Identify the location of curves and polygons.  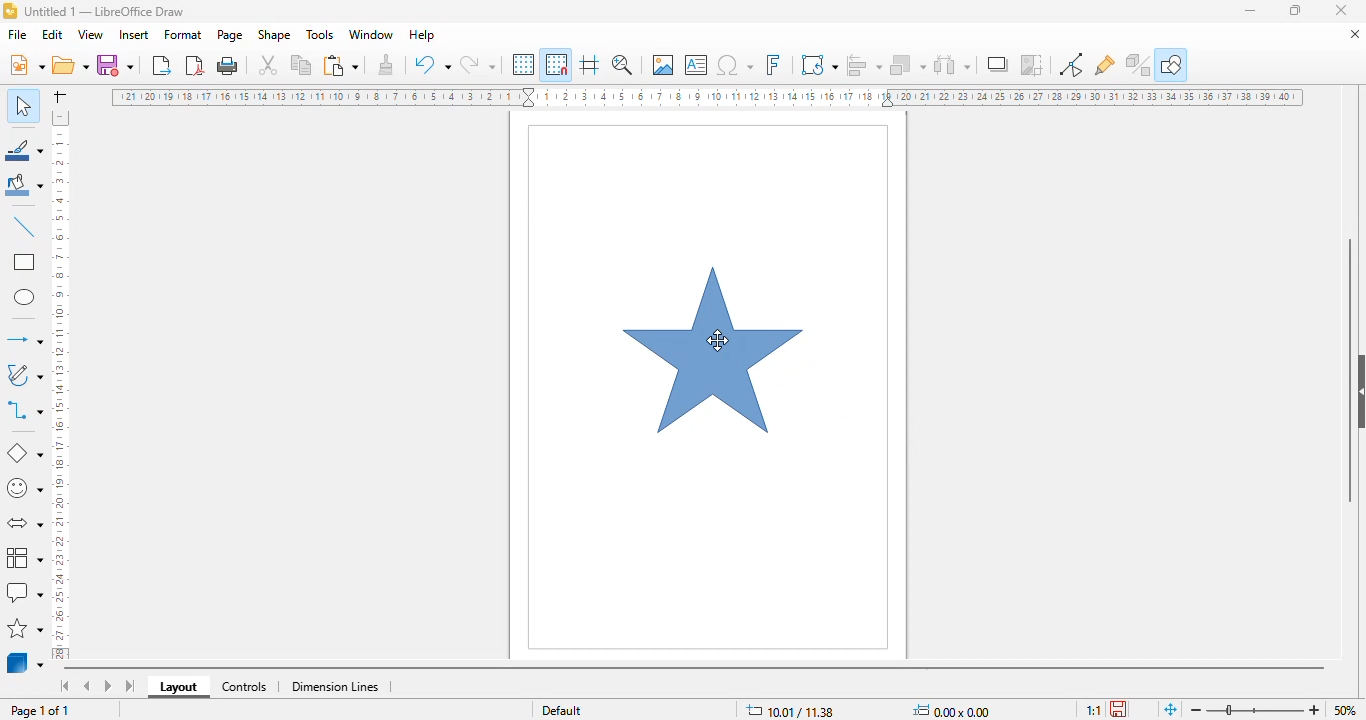
(23, 376).